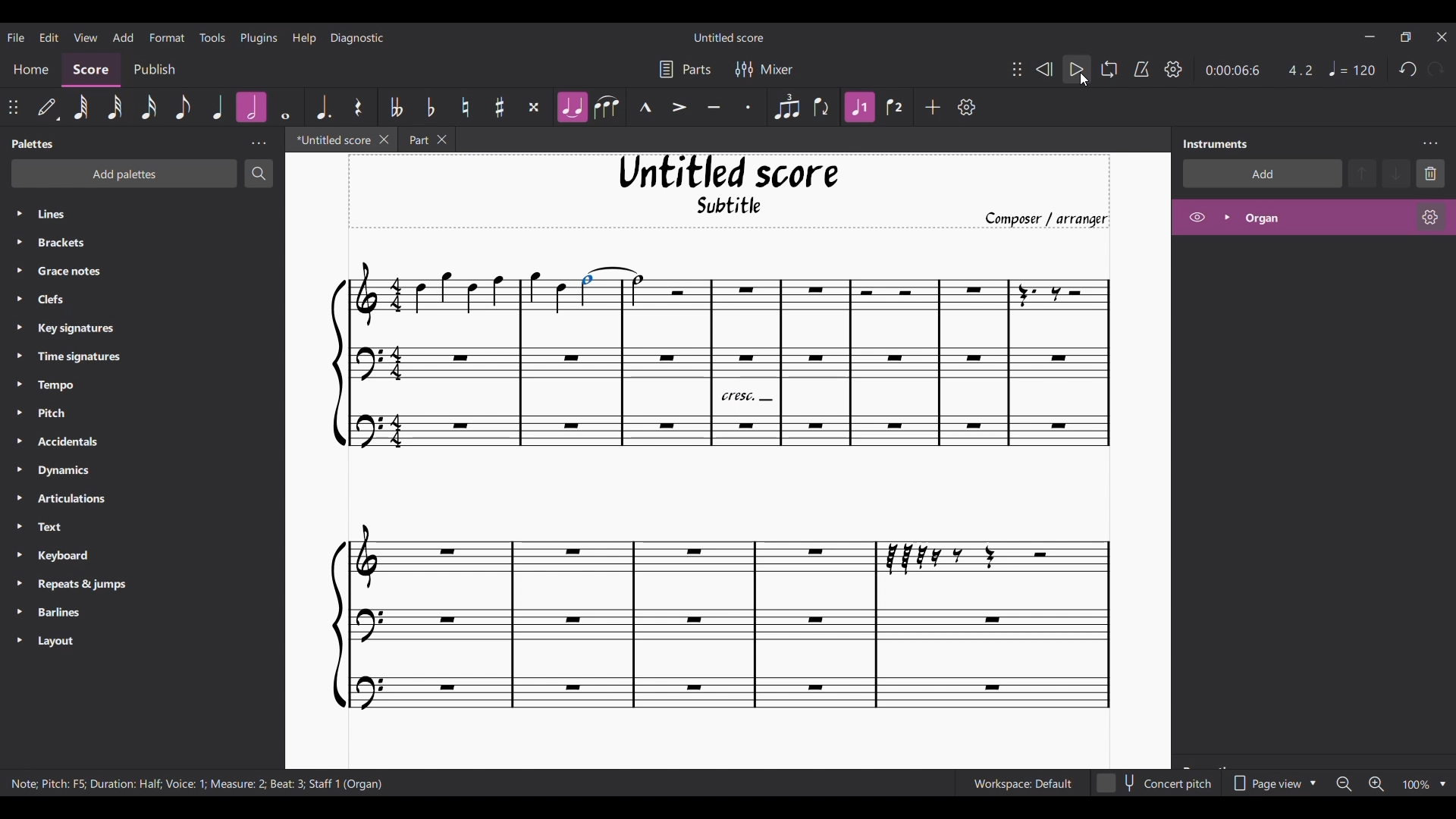  Describe the element at coordinates (328, 140) in the screenshot. I see `Current tab highlighted` at that location.